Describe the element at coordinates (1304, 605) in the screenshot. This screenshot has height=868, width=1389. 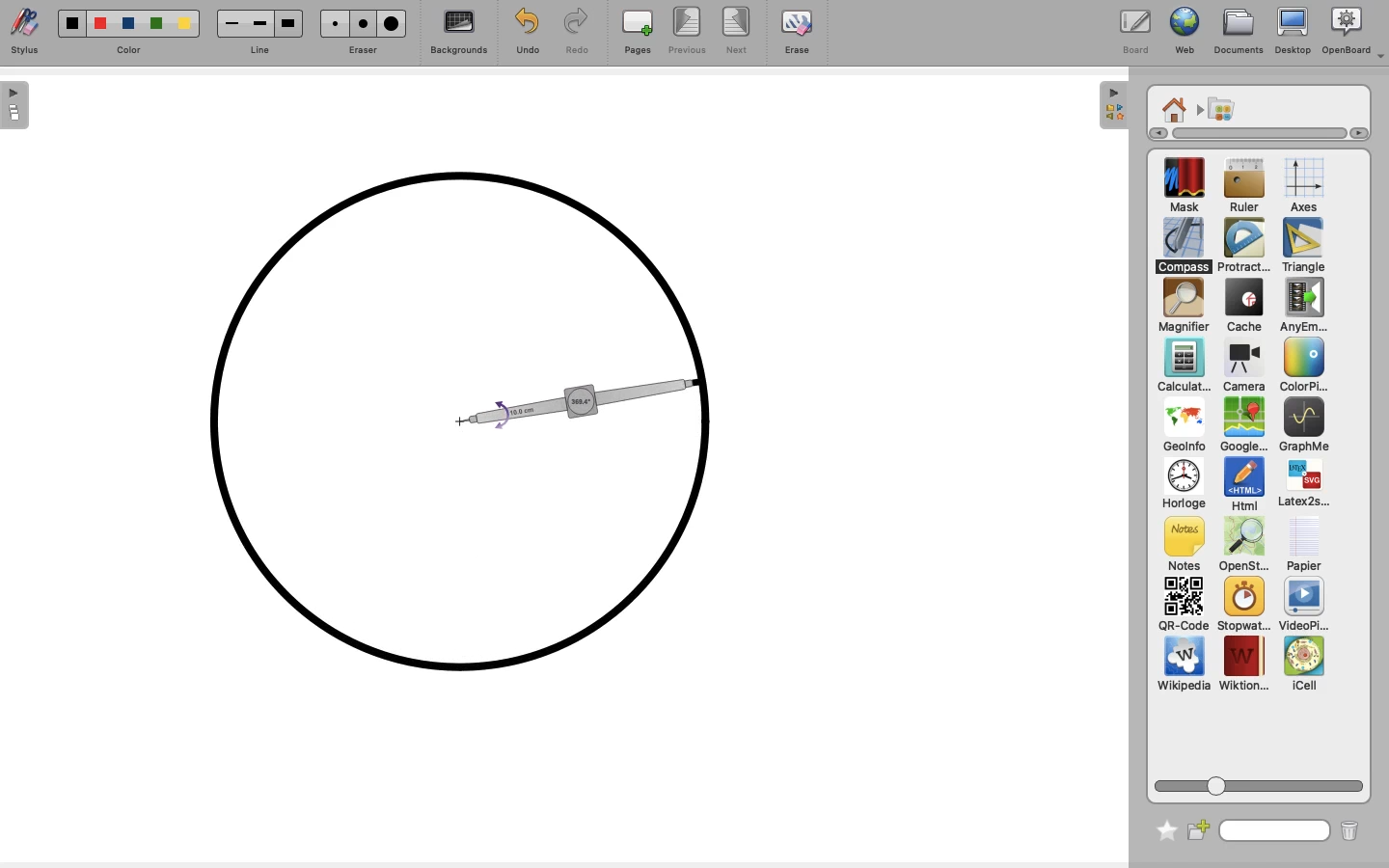
I see `VideoPlayer` at that location.